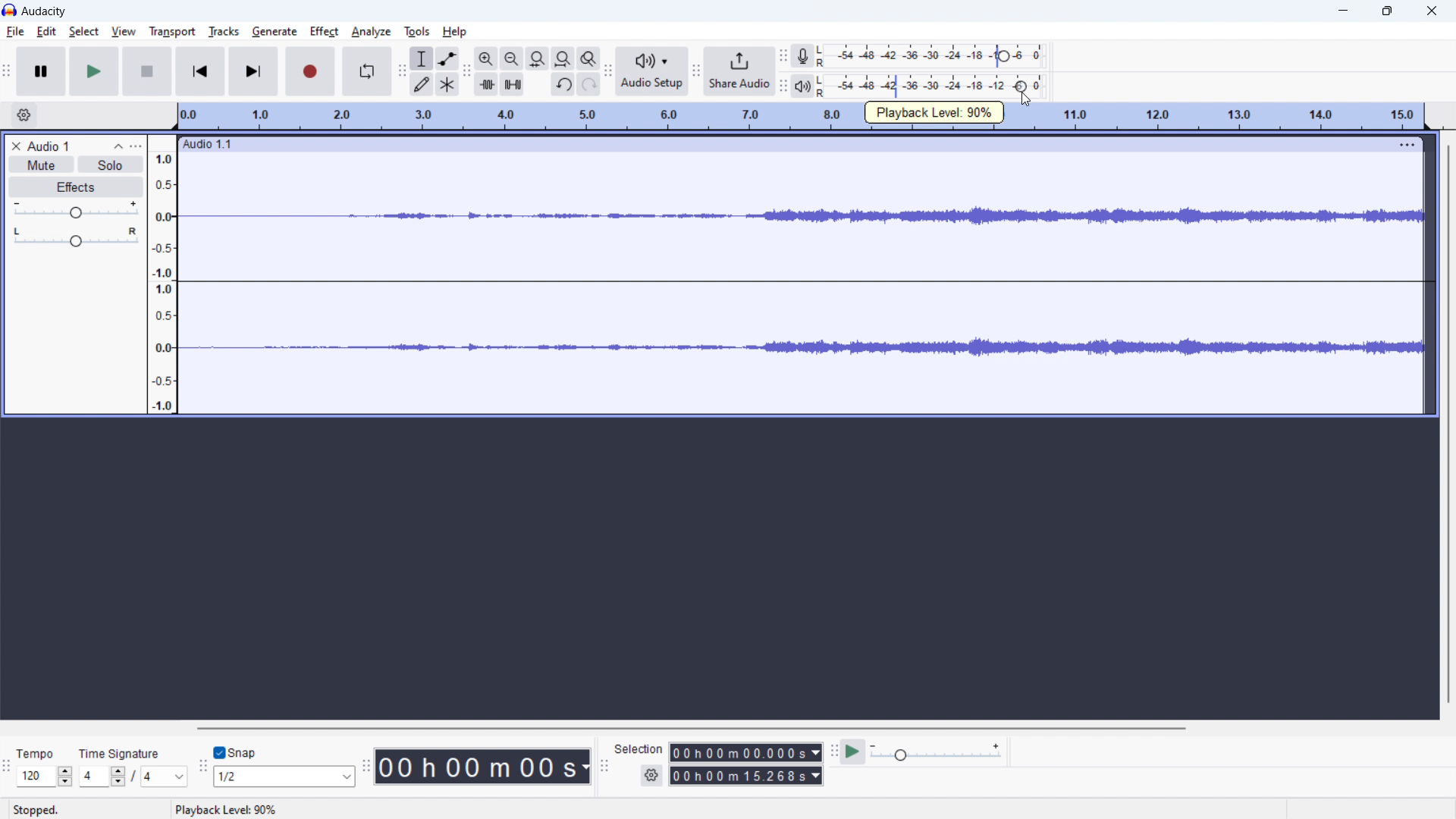 The width and height of the screenshot is (1456, 819). I want to click on horizontal scrollbar, so click(687, 727).